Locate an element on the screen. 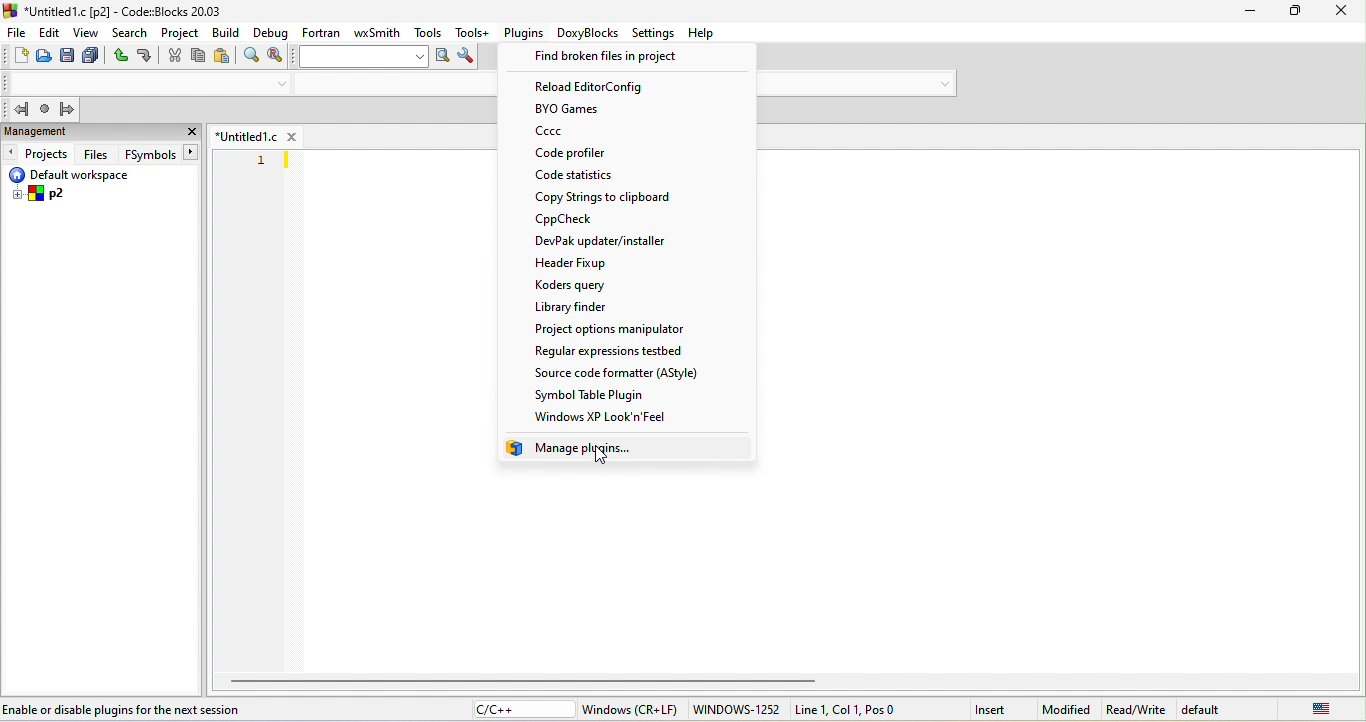 Image resolution: width=1366 pixels, height=722 pixels. view is located at coordinates (86, 32).